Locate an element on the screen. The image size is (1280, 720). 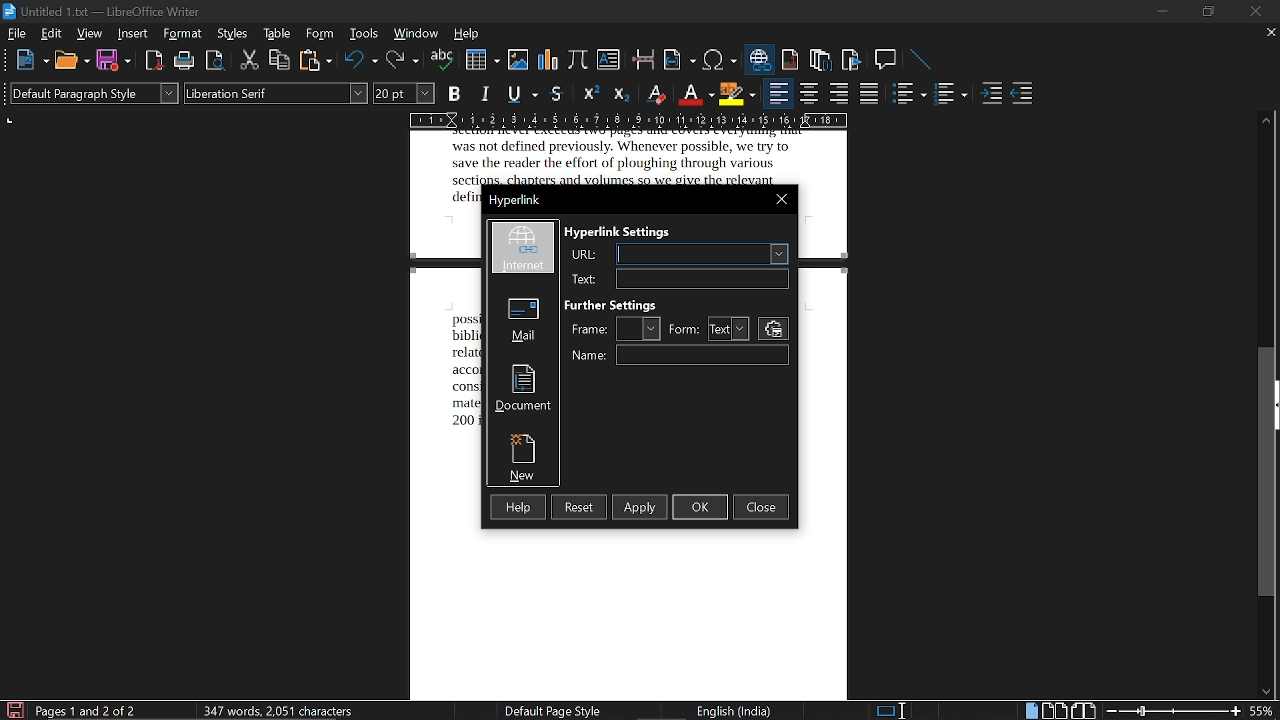
insert formula is located at coordinates (578, 62).